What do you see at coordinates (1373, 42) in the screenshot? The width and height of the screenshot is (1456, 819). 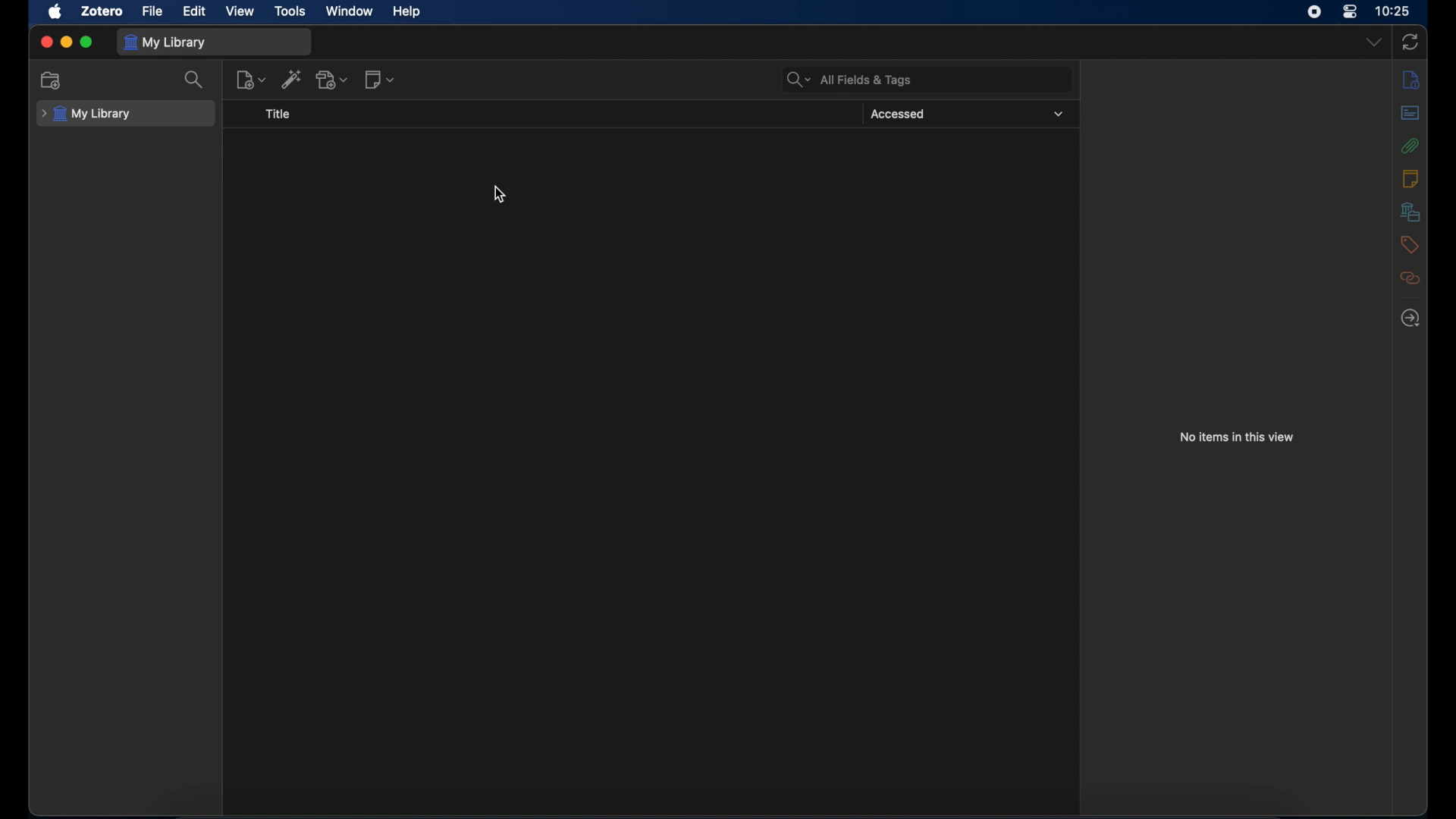 I see `dropdown` at bounding box center [1373, 42].